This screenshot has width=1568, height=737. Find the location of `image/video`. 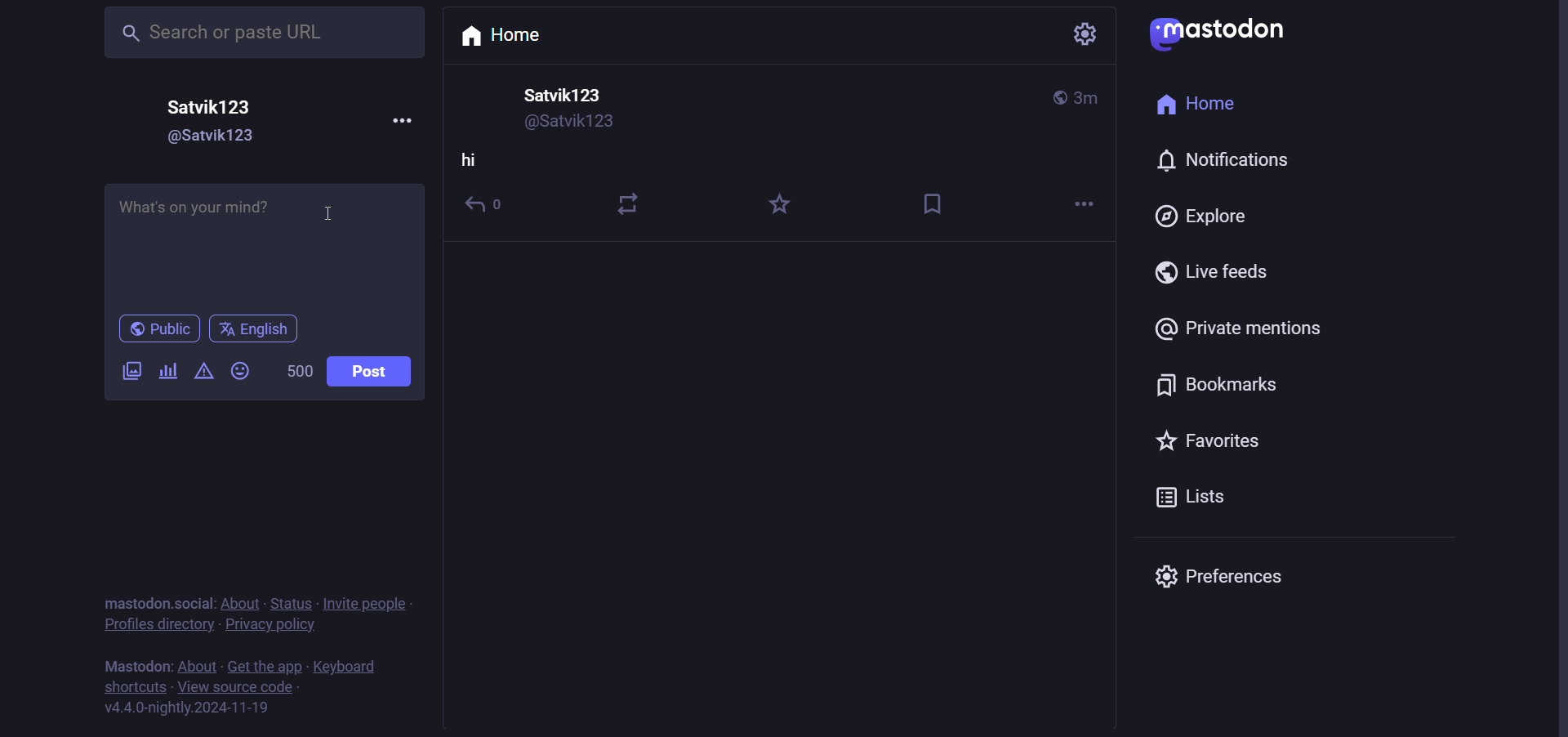

image/video is located at coordinates (132, 371).